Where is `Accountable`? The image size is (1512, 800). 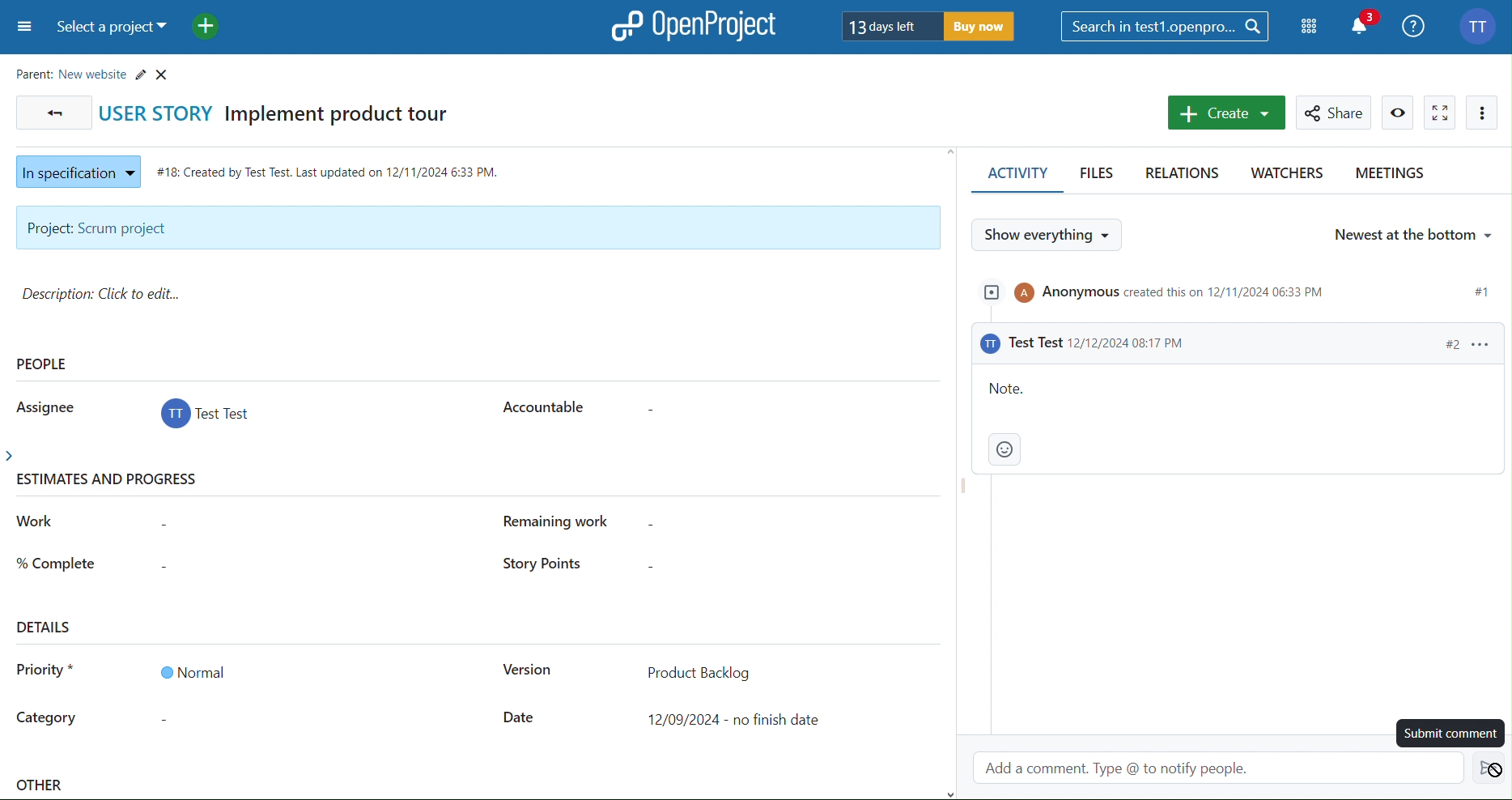
Accountable is located at coordinates (541, 405).